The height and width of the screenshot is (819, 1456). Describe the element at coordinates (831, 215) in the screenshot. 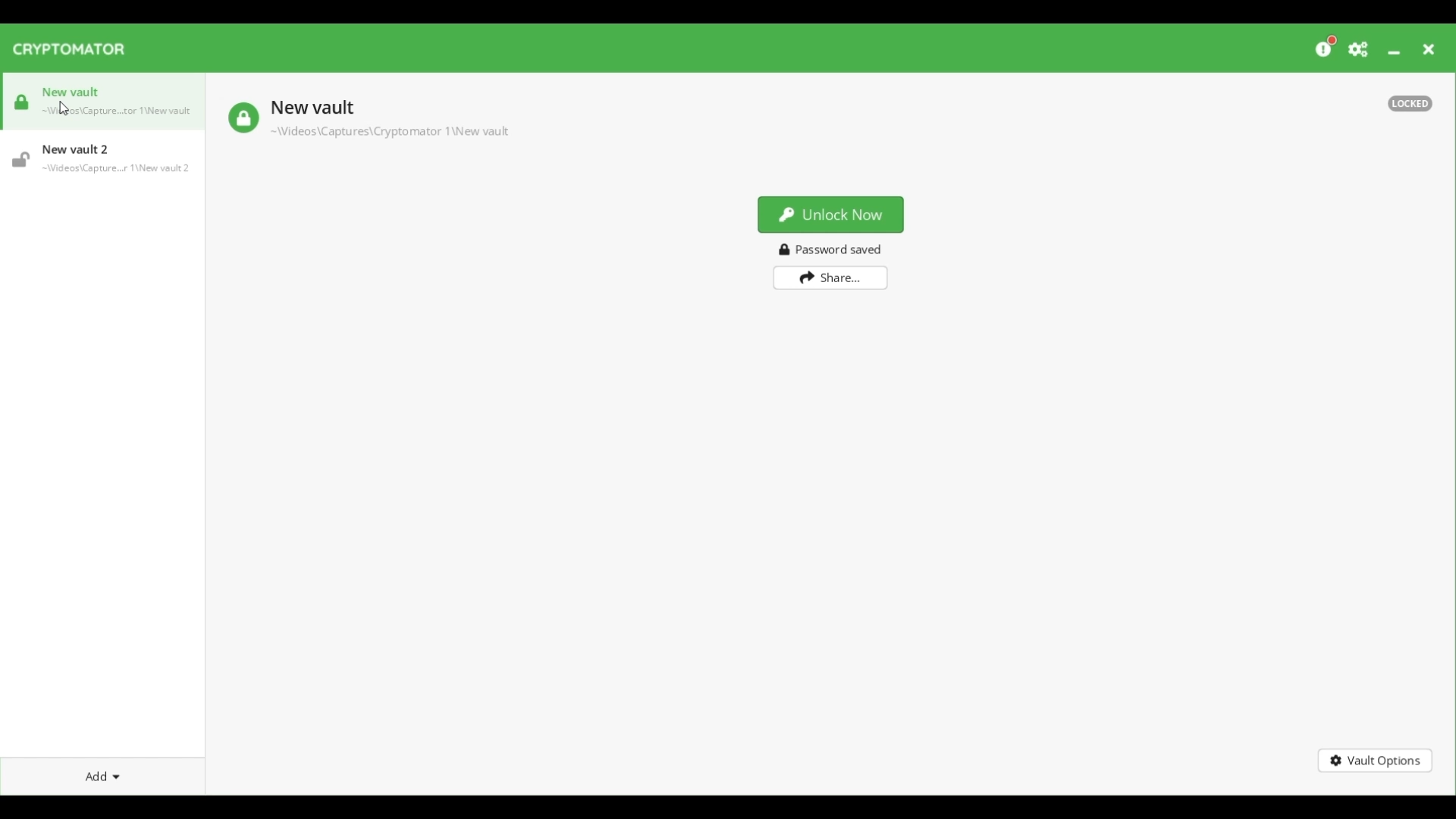

I see `Unlock selected vault` at that location.